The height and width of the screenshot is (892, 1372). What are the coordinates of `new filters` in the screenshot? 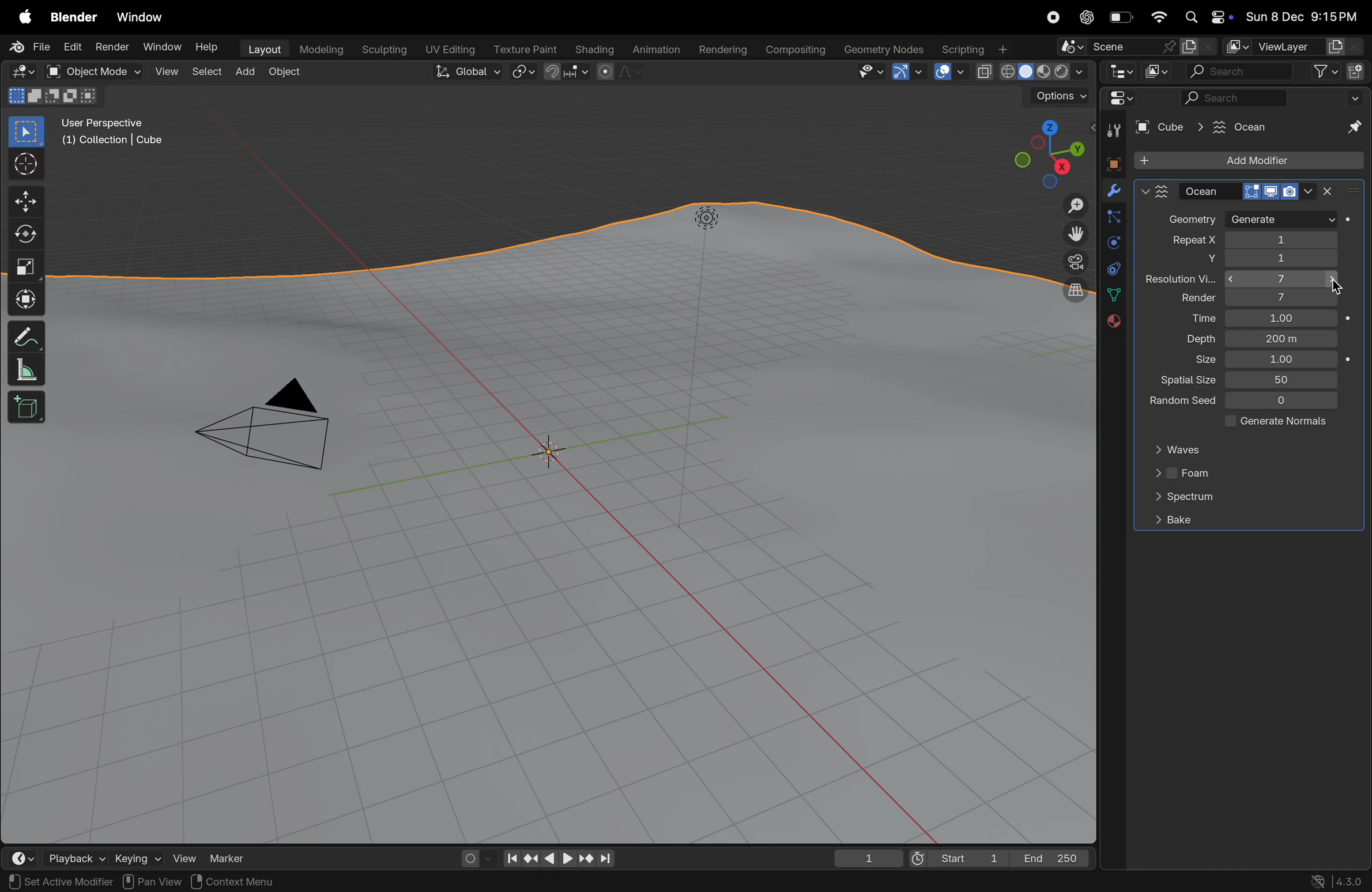 It's located at (1318, 72).